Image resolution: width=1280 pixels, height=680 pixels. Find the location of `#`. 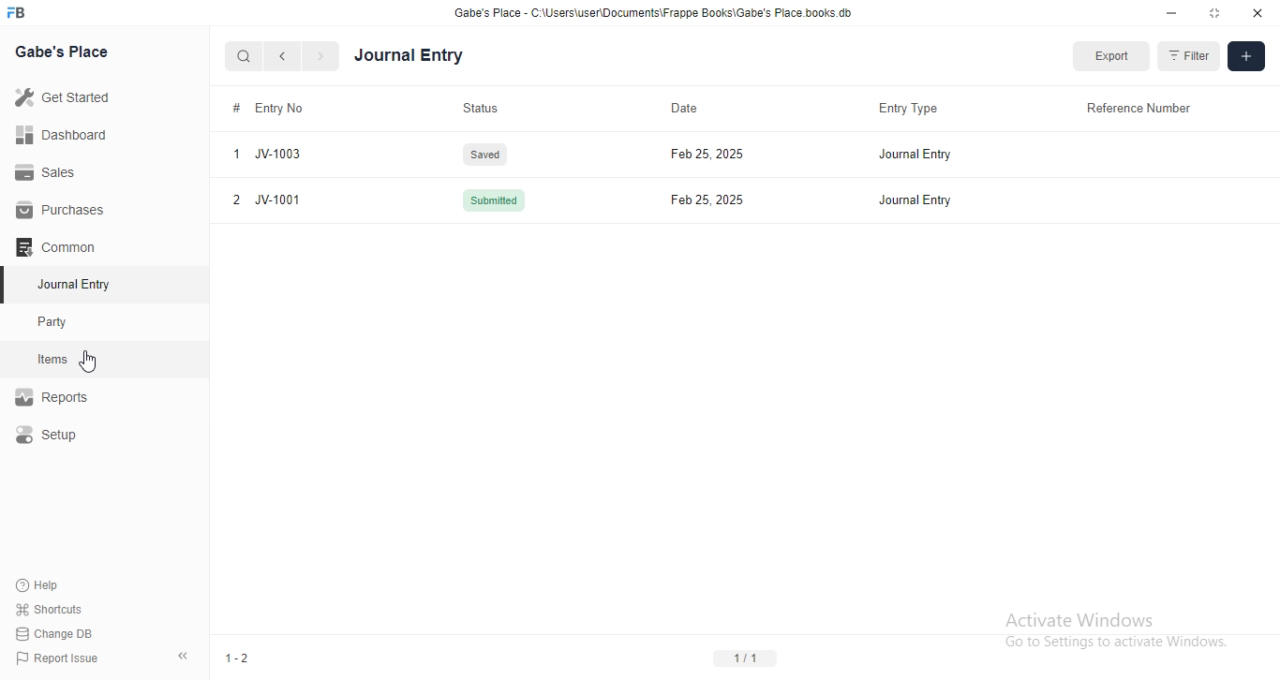

# is located at coordinates (237, 107).